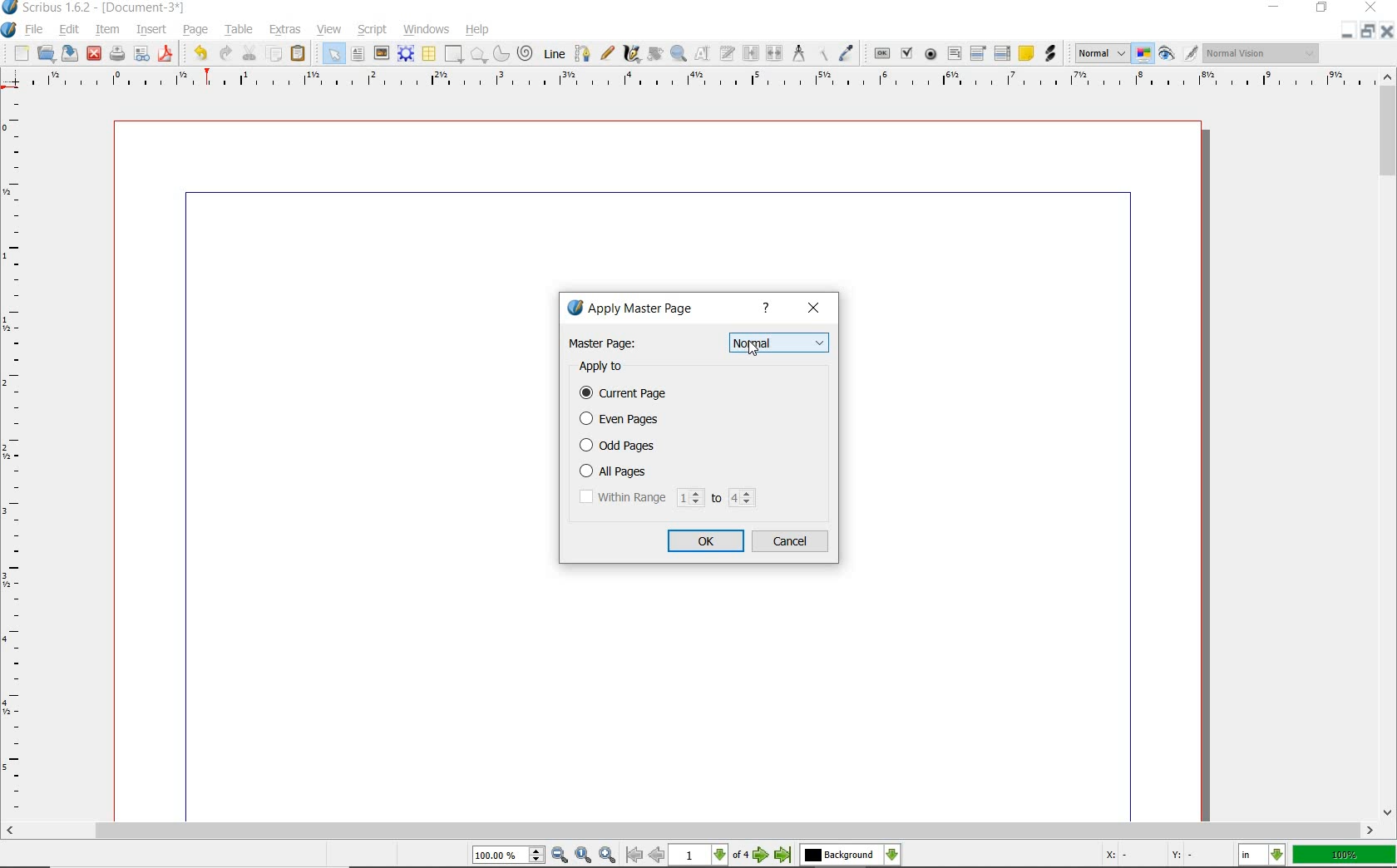 The width and height of the screenshot is (1397, 868). Describe the element at coordinates (329, 29) in the screenshot. I see `view` at that location.